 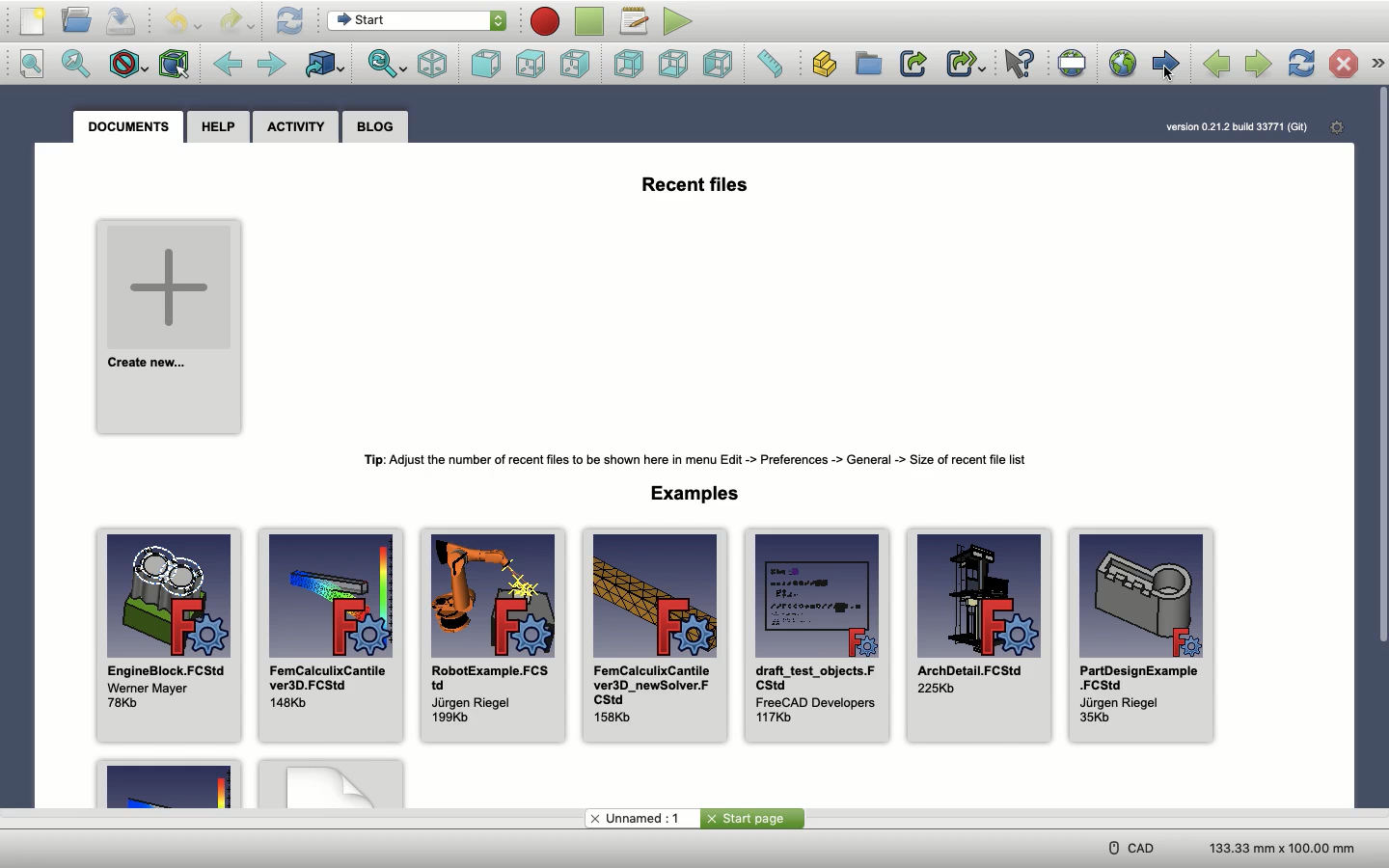 What do you see at coordinates (1337, 127) in the screenshot?
I see `Open start page preferences` at bounding box center [1337, 127].